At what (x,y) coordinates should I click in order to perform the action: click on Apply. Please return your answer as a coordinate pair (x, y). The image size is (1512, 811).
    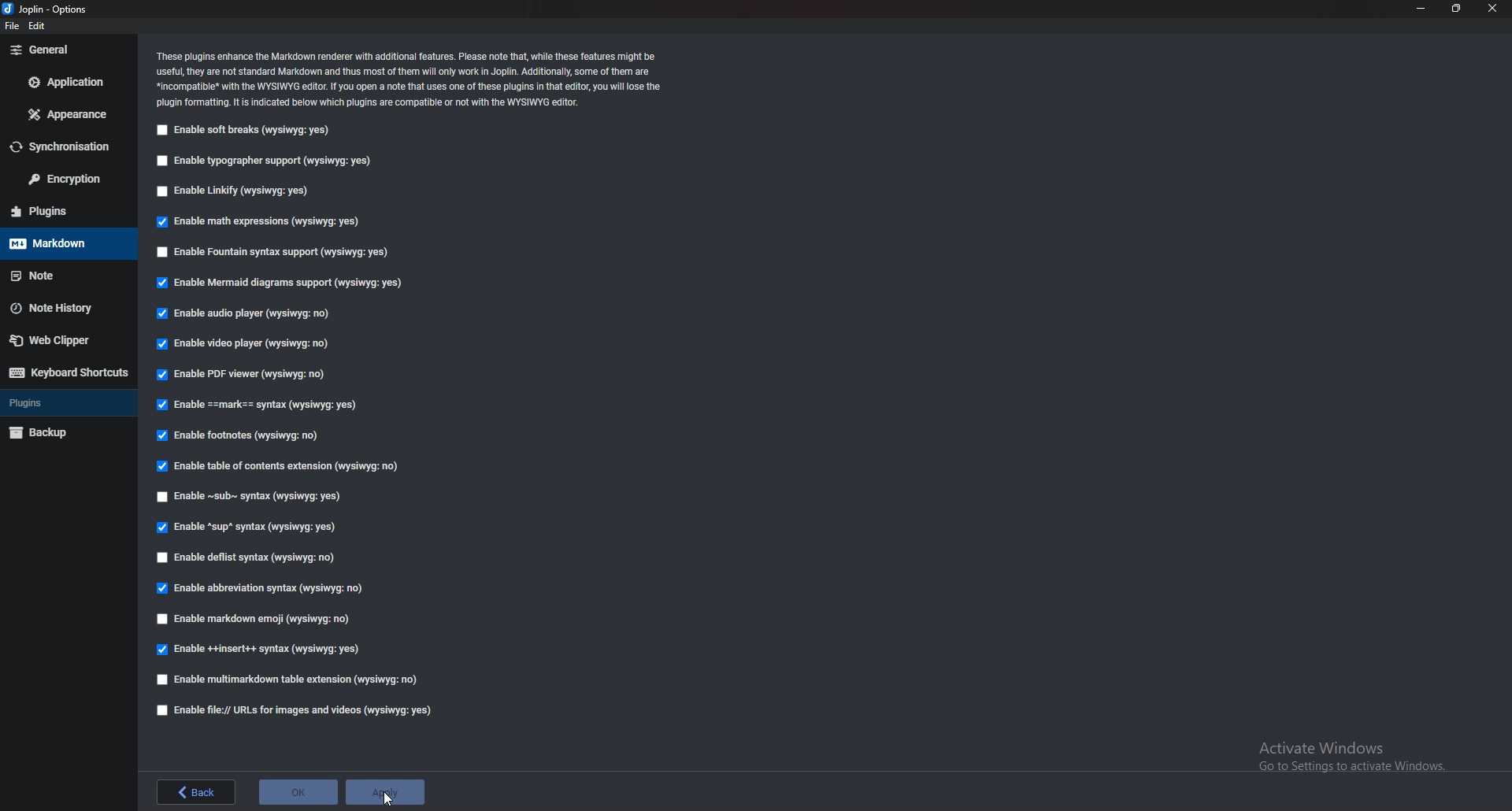
    Looking at the image, I should click on (386, 794).